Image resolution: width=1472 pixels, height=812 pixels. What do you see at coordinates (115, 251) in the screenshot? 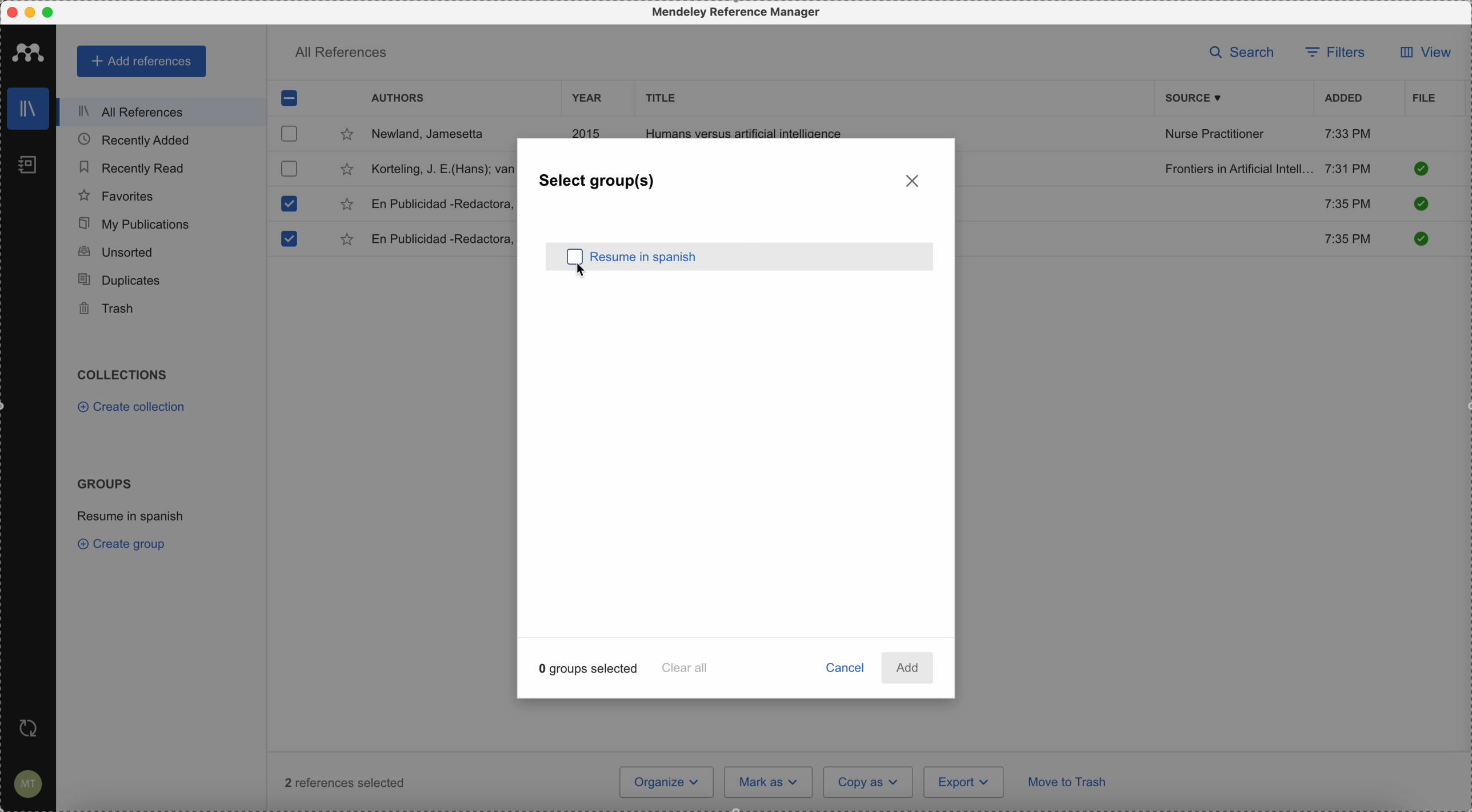
I see `unsorted` at bounding box center [115, 251].